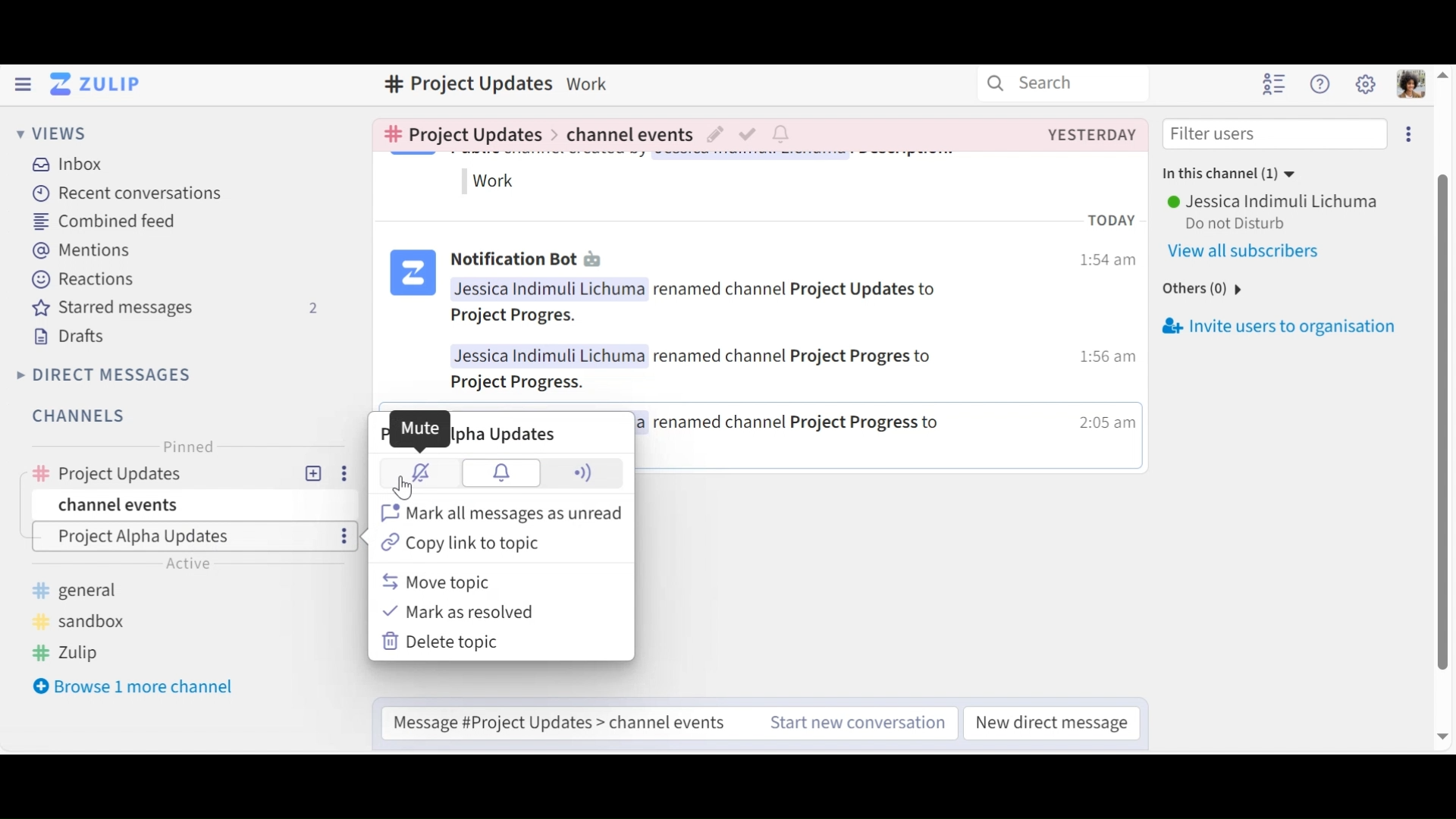 The image size is (1456, 819). I want to click on mute pop up, so click(420, 428).